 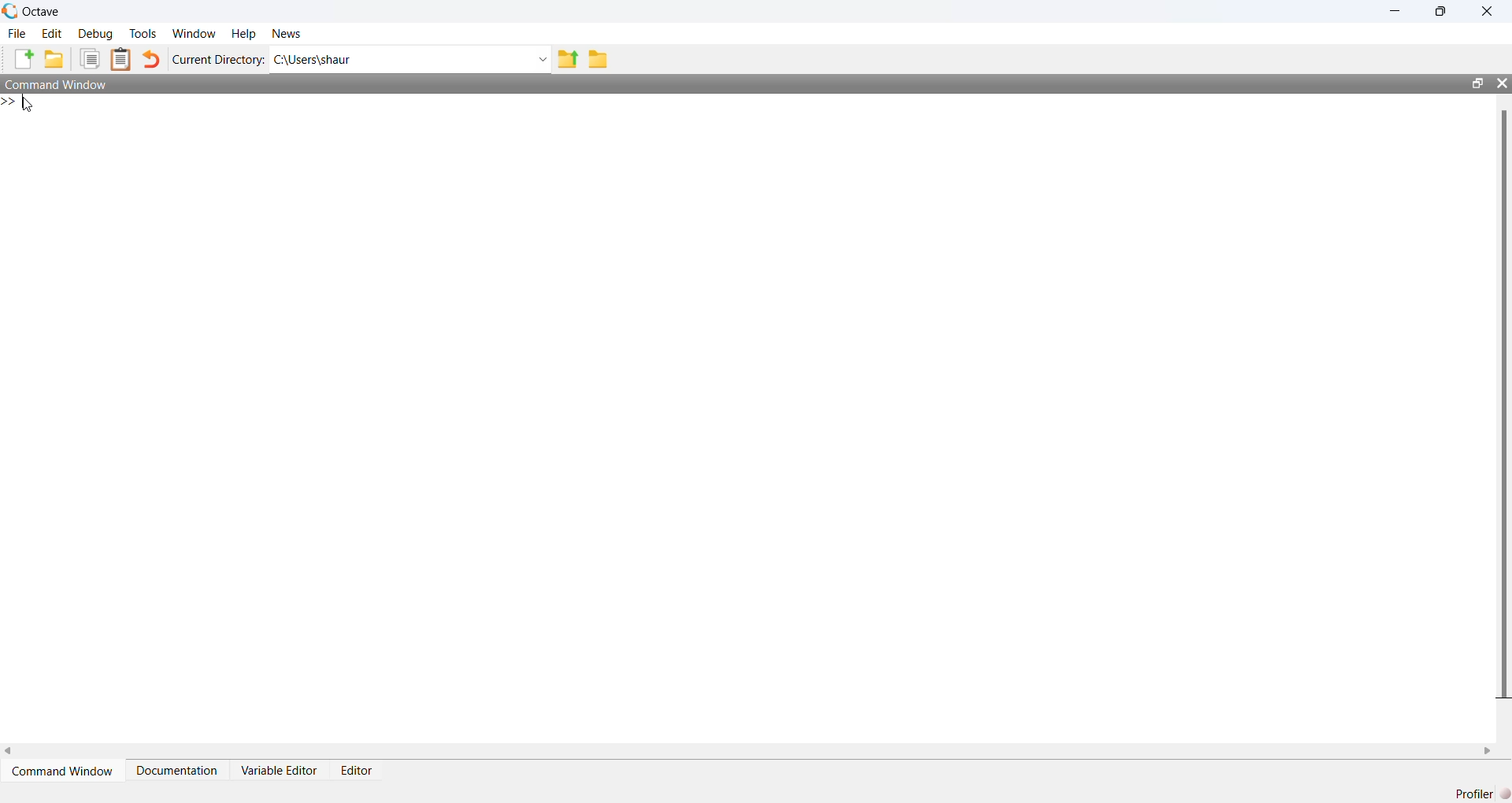 What do you see at coordinates (54, 58) in the screenshot?
I see `add folder ` at bounding box center [54, 58].